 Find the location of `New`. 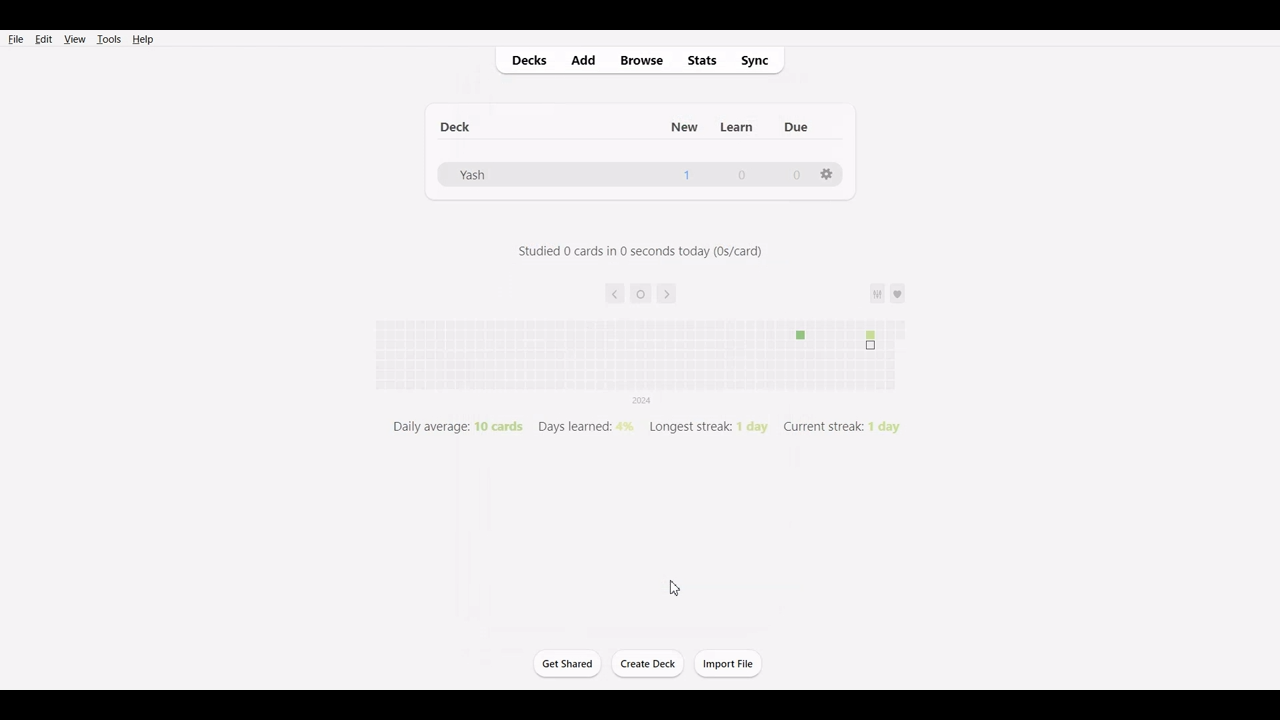

New is located at coordinates (677, 124).